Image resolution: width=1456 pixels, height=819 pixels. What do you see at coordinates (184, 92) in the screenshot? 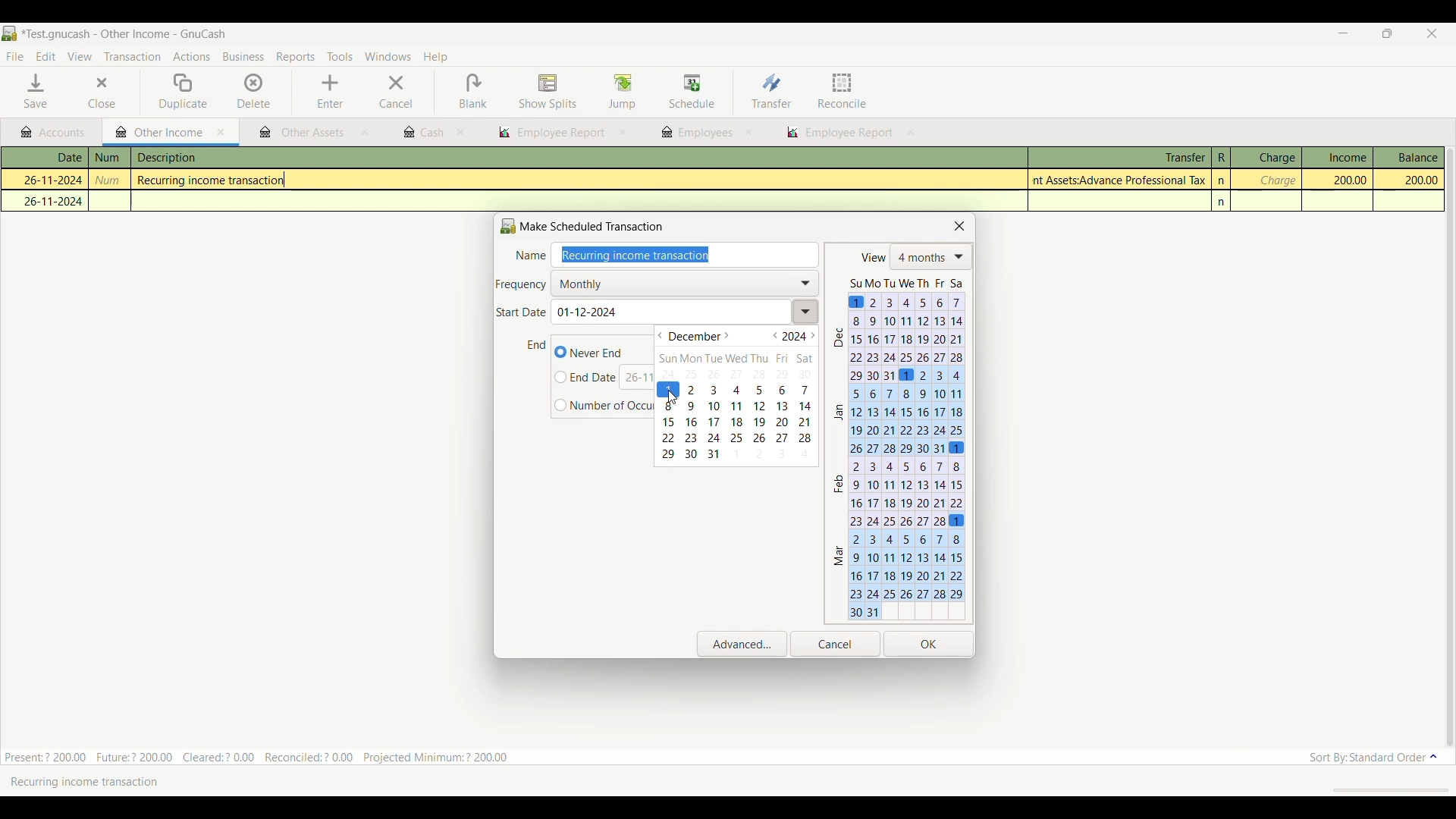
I see `Duplicate` at bounding box center [184, 92].